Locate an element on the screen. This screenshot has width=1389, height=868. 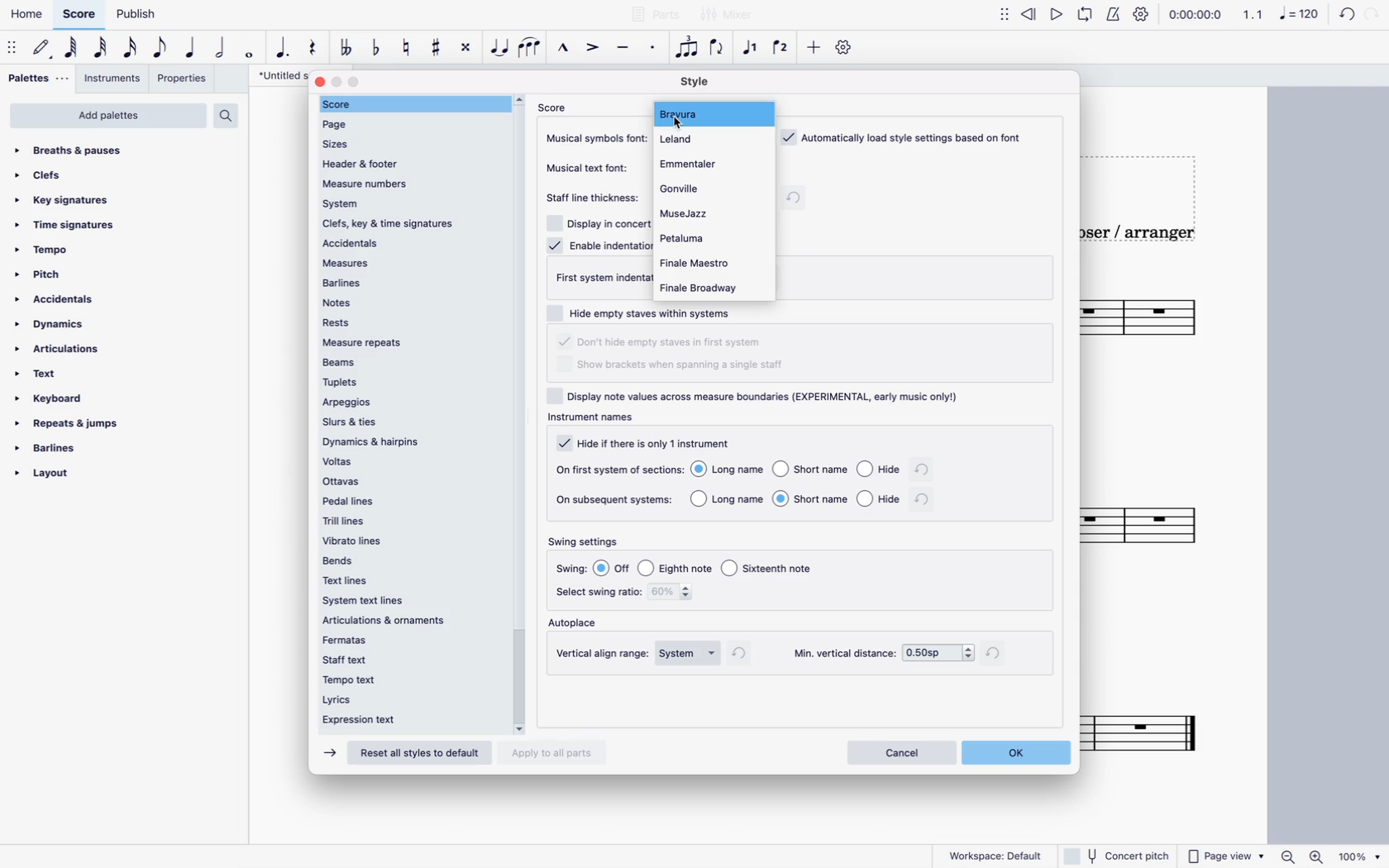
tune is located at coordinates (349, 46).